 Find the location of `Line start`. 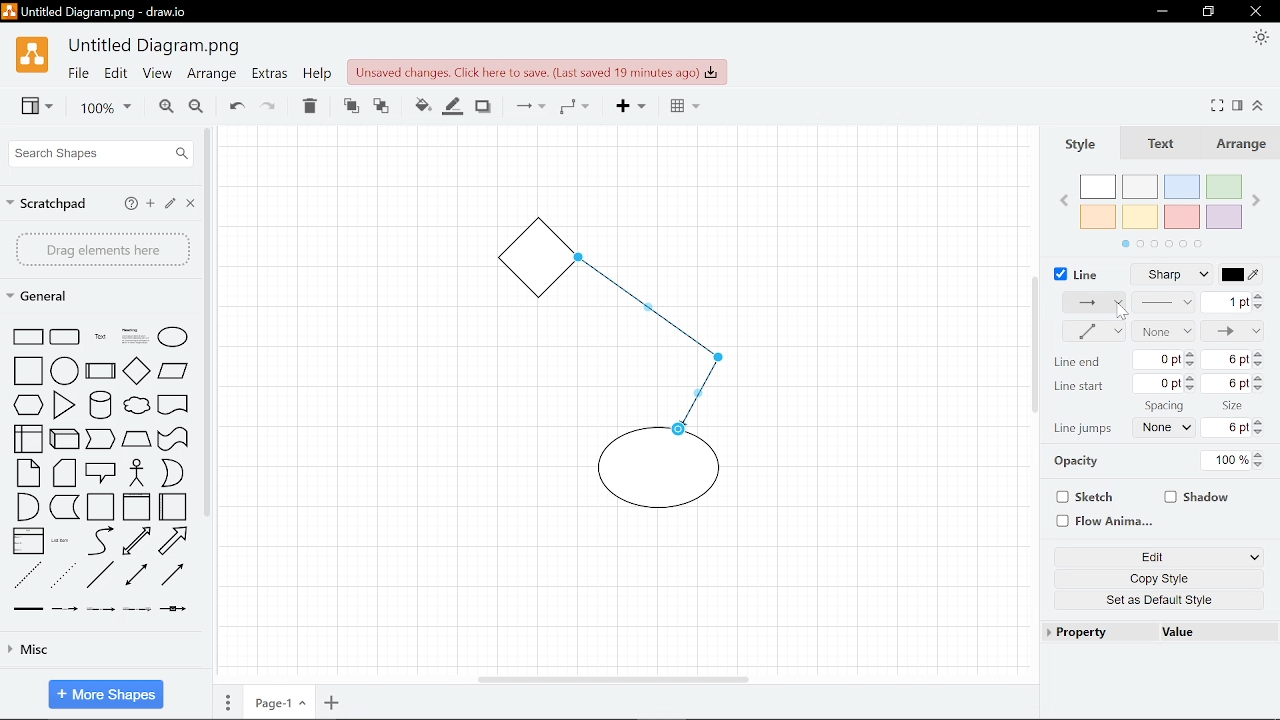

Line start is located at coordinates (1080, 387).